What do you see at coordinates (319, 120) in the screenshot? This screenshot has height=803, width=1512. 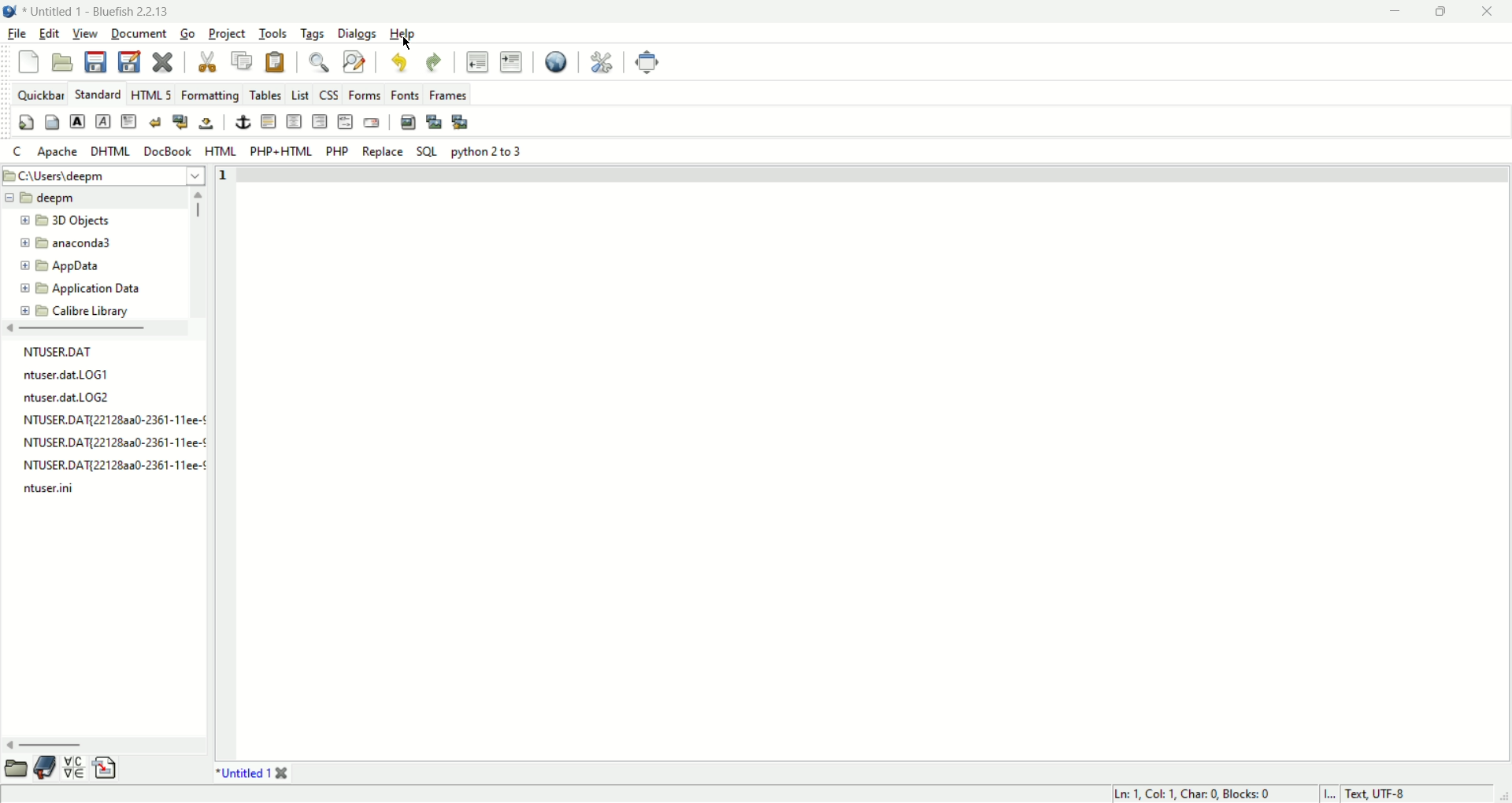 I see `right justify` at bounding box center [319, 120].